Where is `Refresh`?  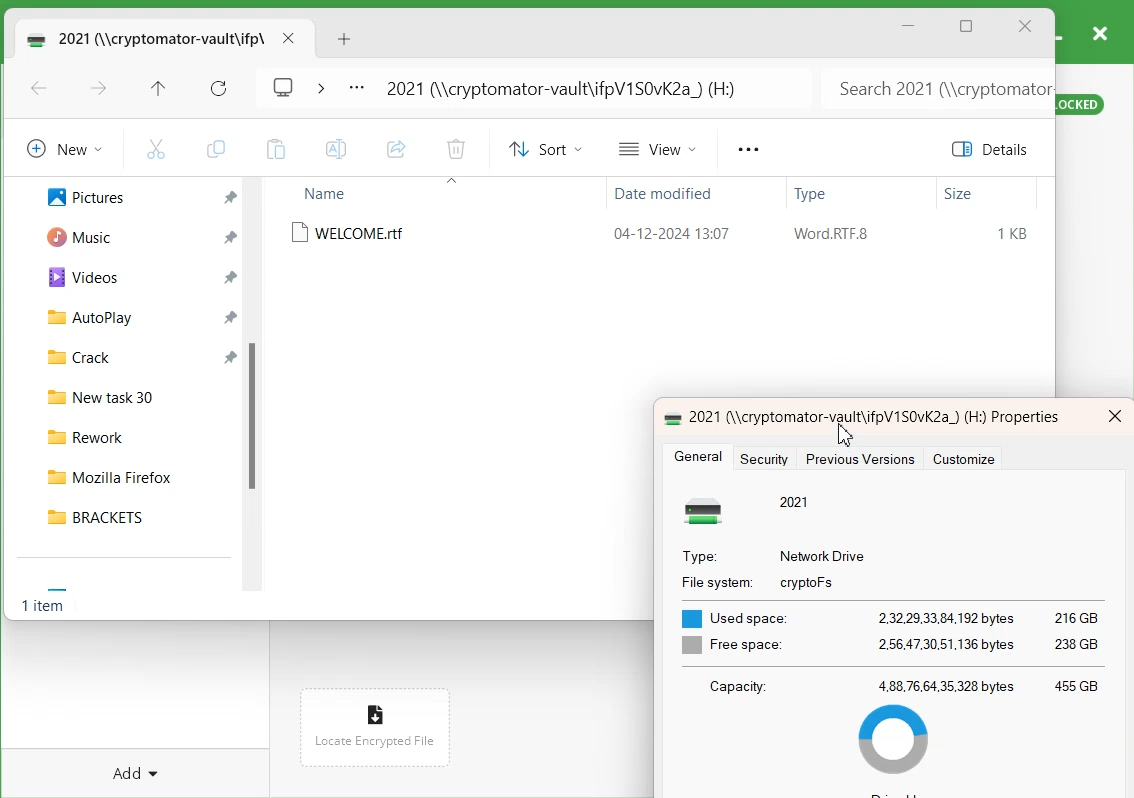
Refresh is located at coordinates (219, 89).